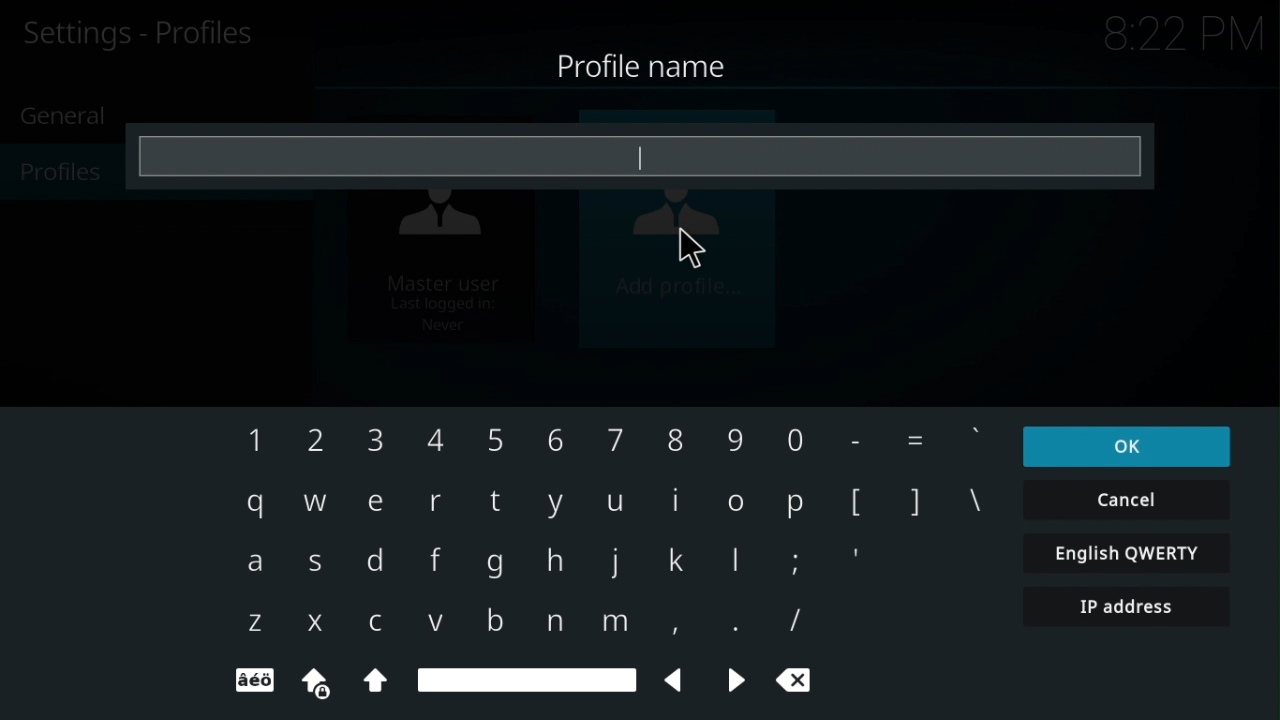 This screenshot has height=720, width=1280. I want to click on cancel, so click(1127, 500).